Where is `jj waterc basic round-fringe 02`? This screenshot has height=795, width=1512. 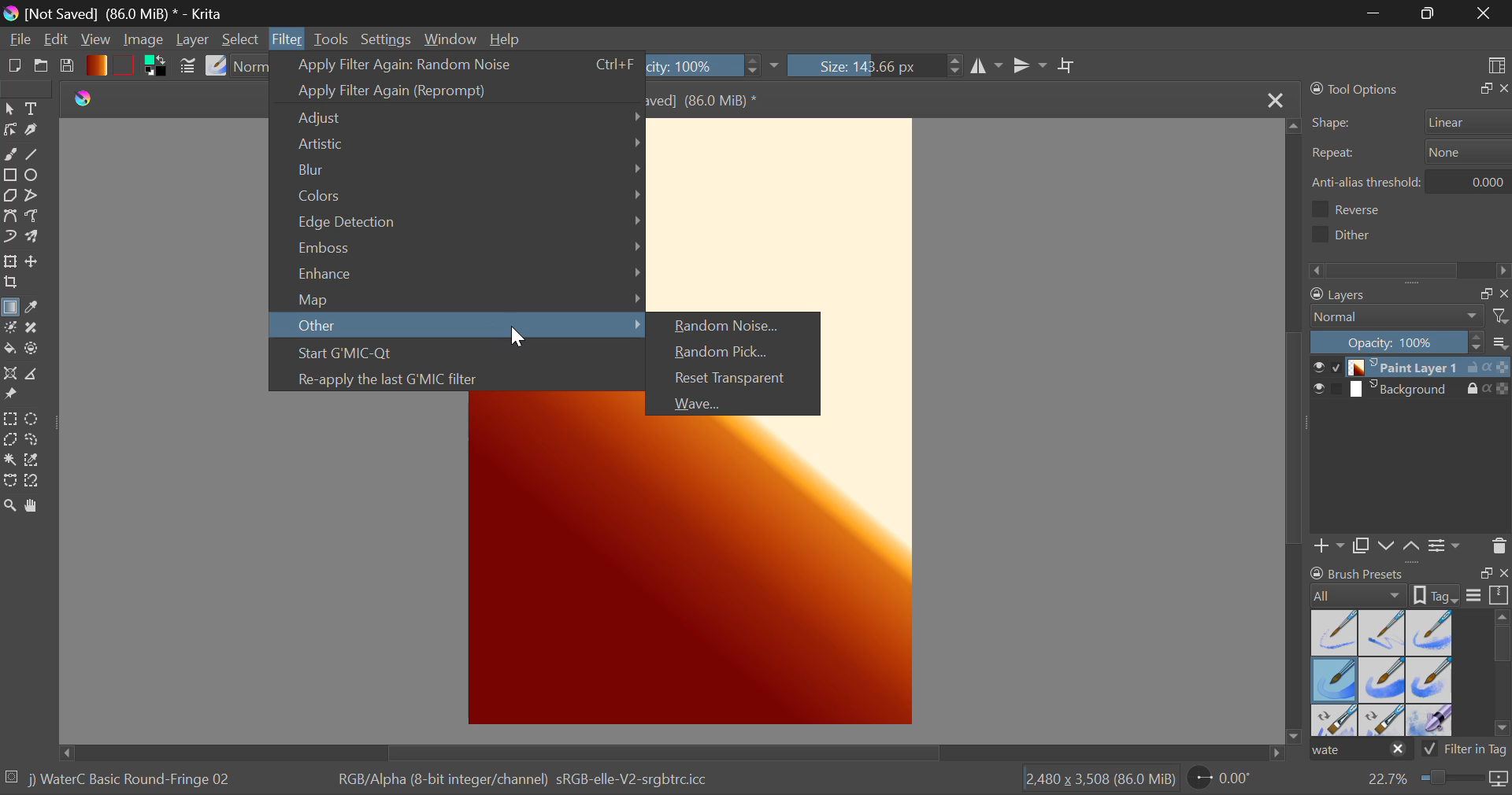 jj waterc basic round-fringe 02 is located at coordinates (132, 782).